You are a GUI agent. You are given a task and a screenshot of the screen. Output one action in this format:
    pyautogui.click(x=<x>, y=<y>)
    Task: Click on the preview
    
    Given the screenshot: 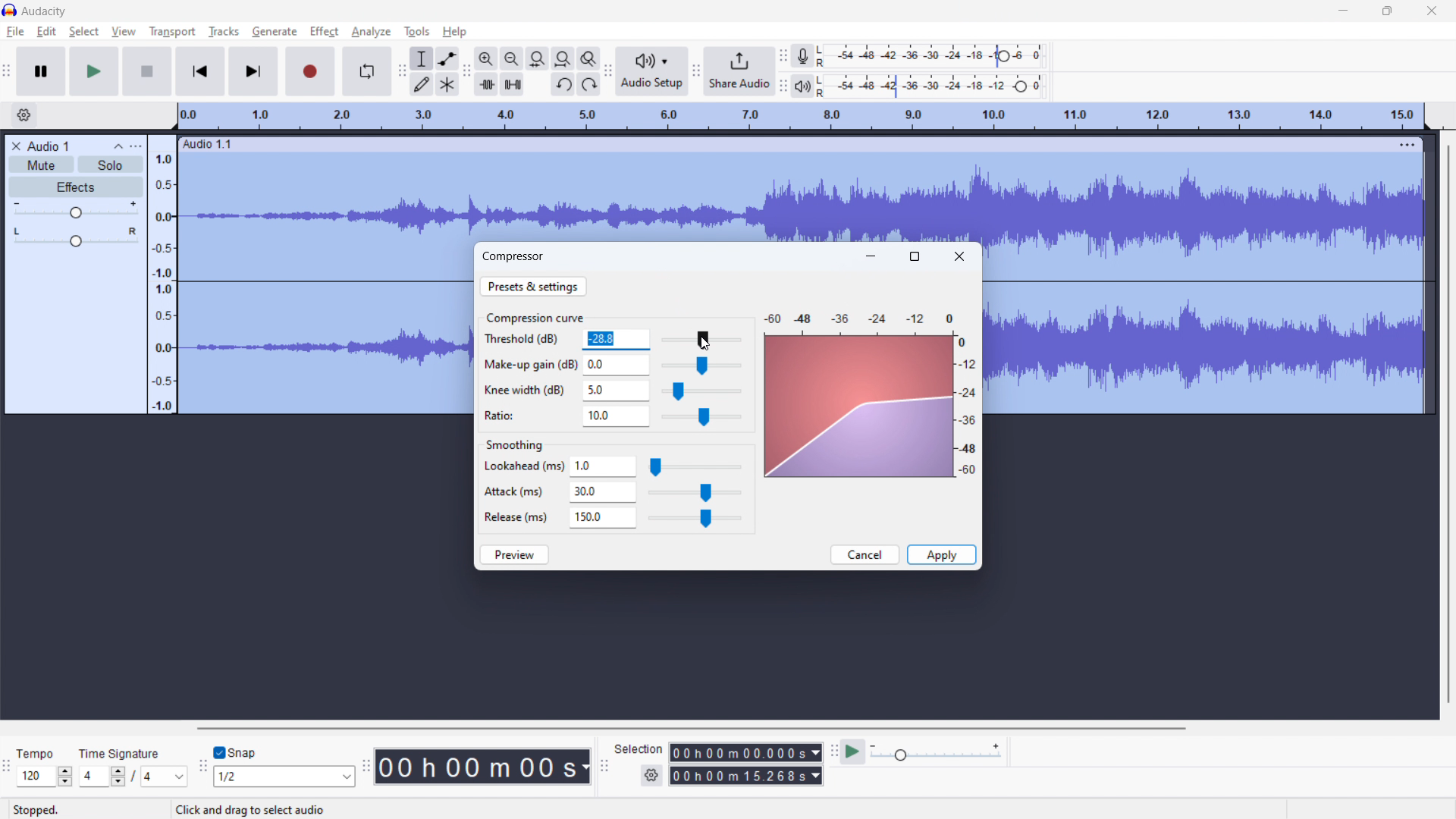 What is the action you would take?
    pyautogui.click(x=515, y=554)
    